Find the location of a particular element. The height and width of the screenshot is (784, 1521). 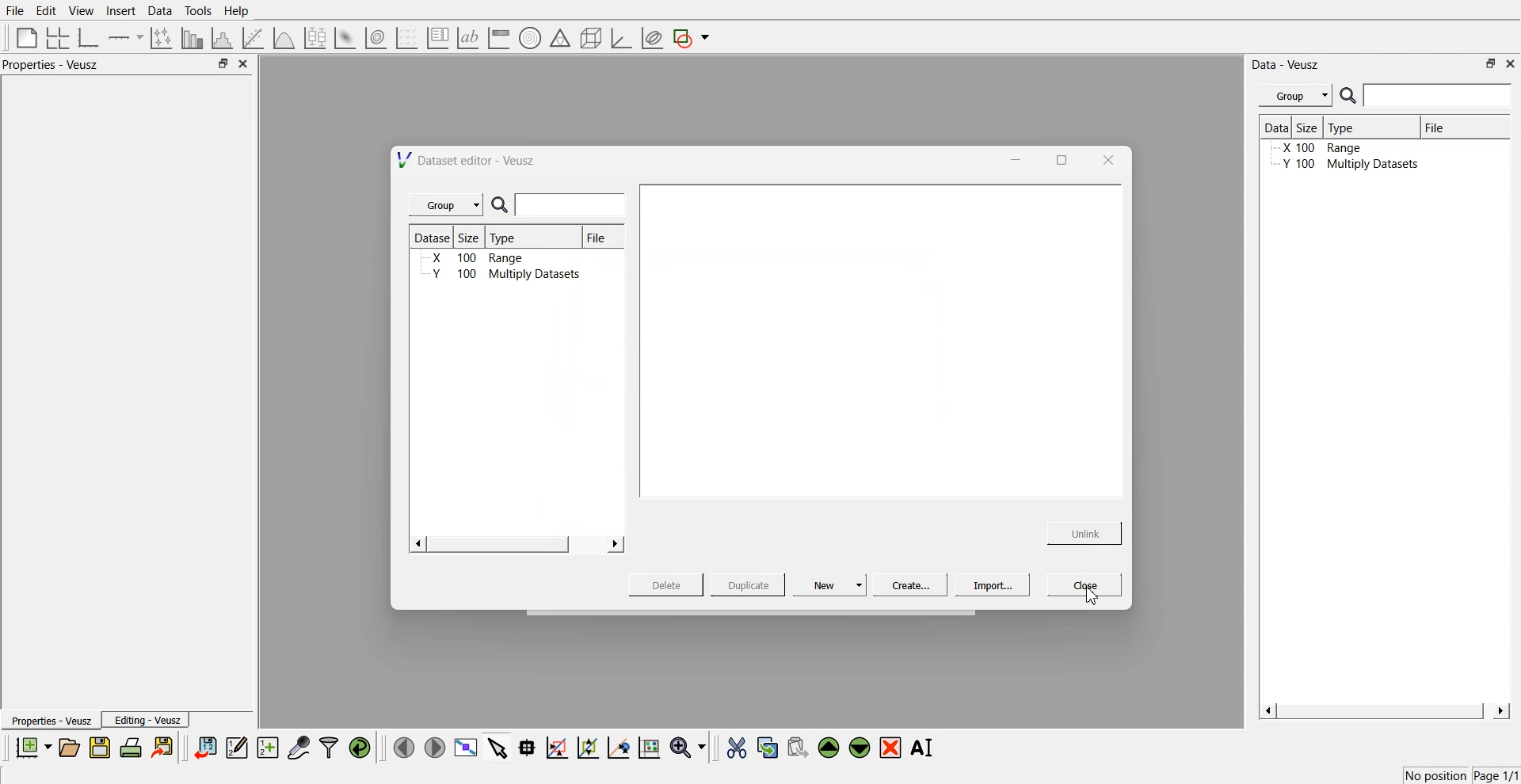

Delete is located at coordinates (668, 584).